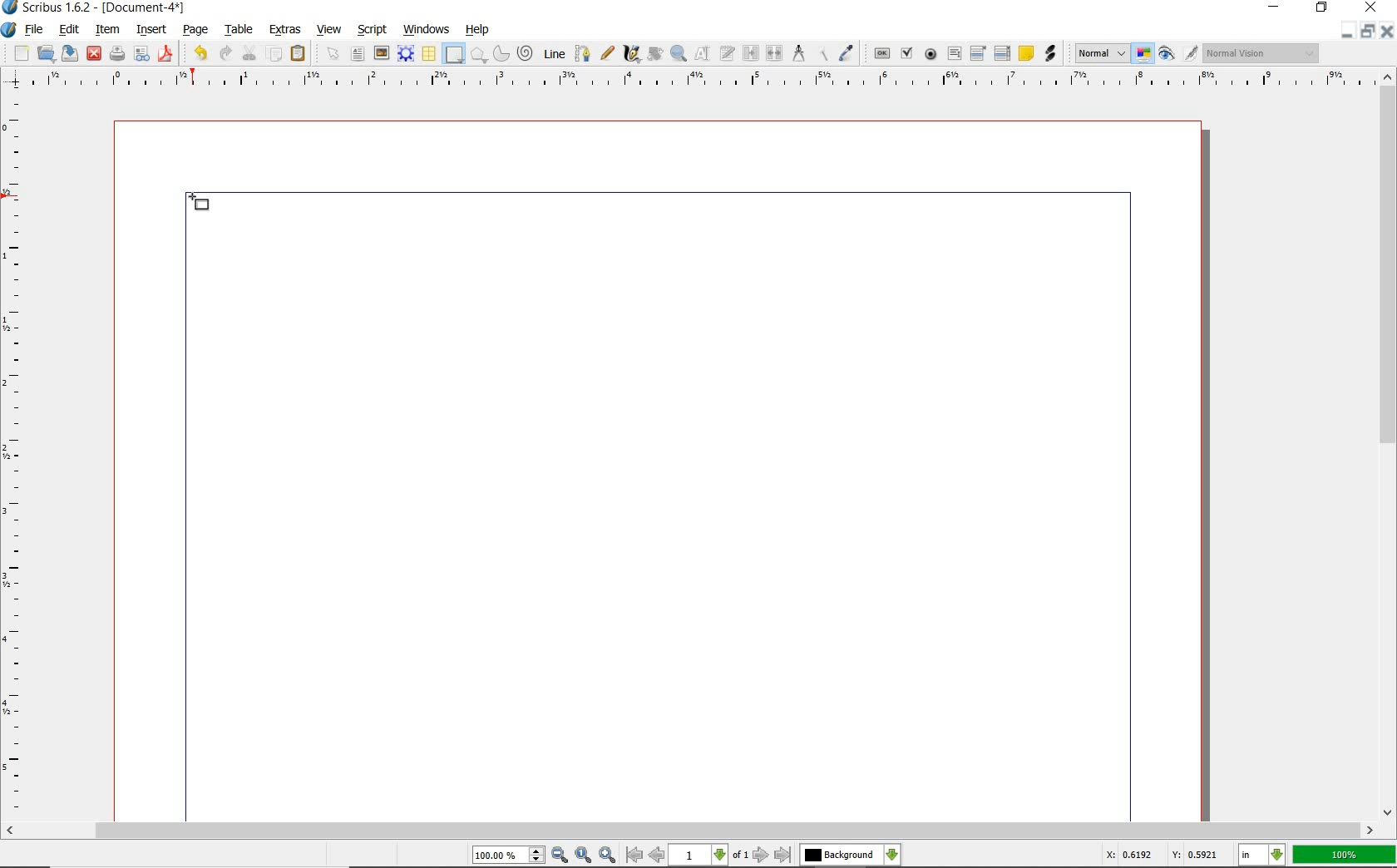 This screenshot has width=1397, height=868. I want to click on copy, so click(275, 54).